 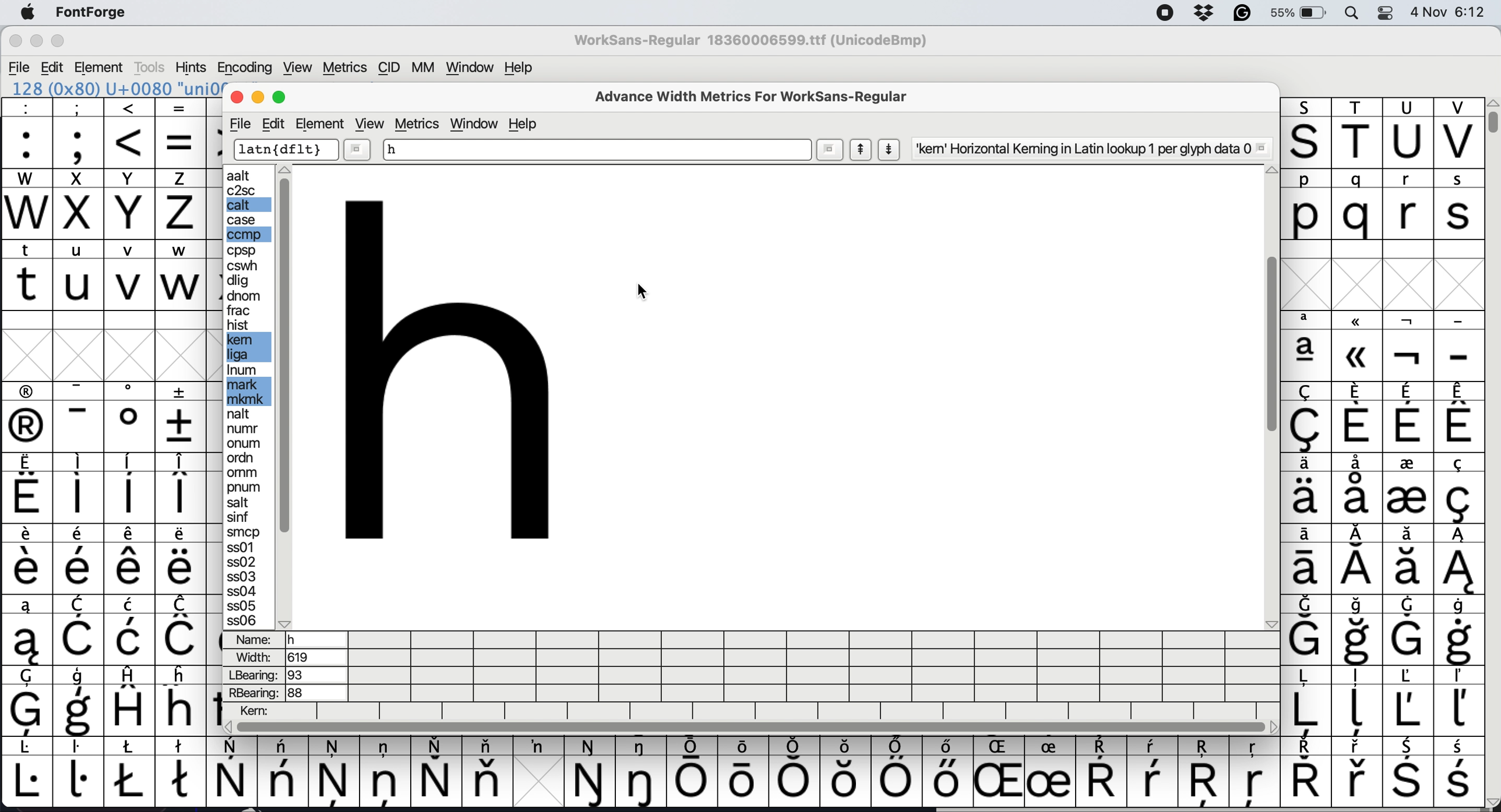 What do you see at coordinates (114, 290) in the screenshot?
I see `lowercase letters` at bounding box center [114, 290].